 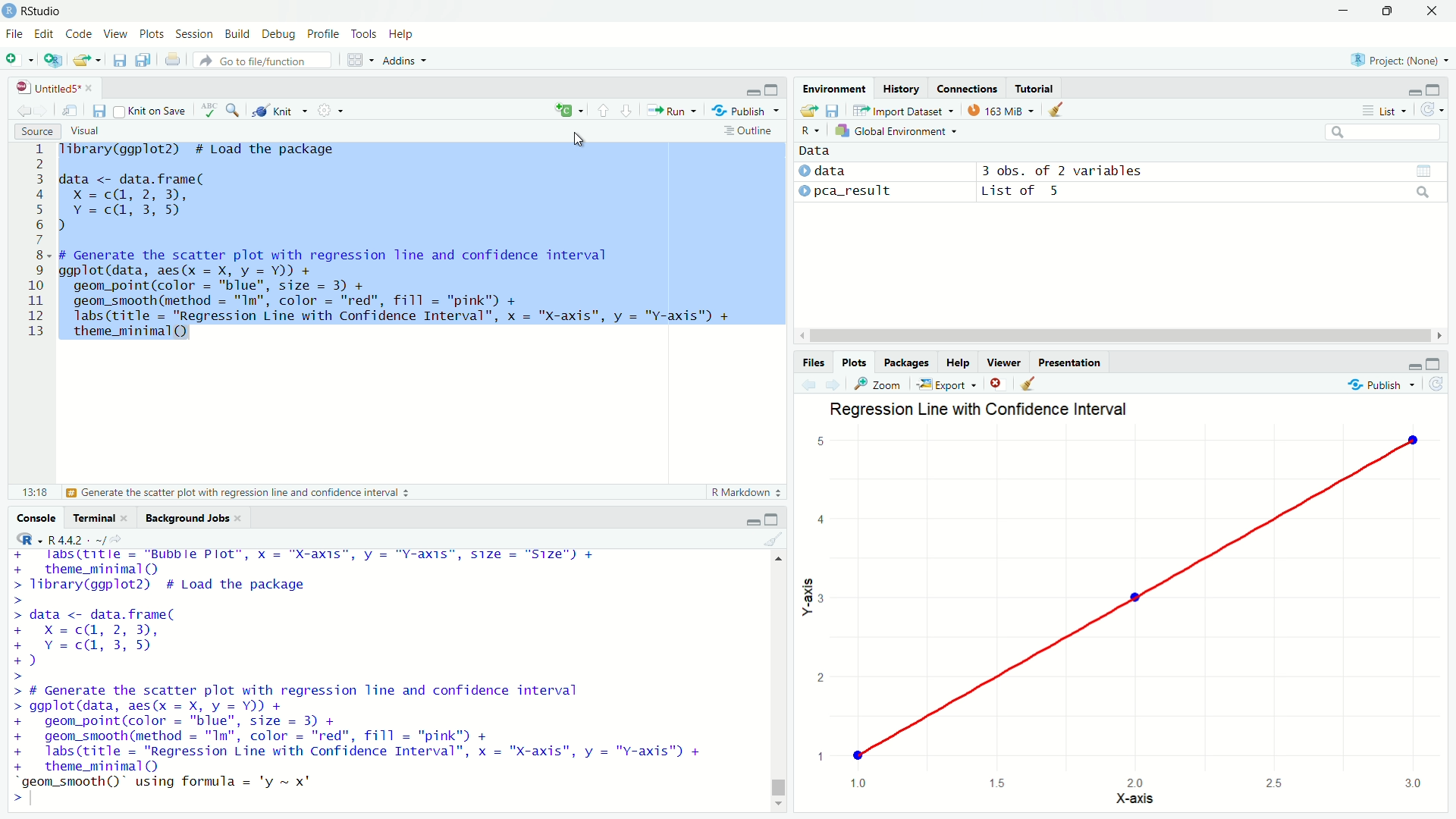 What do you see at coordinates (998, 384) in the screenshot?
I see `Remove current plot` at bounding box center [998, 384].